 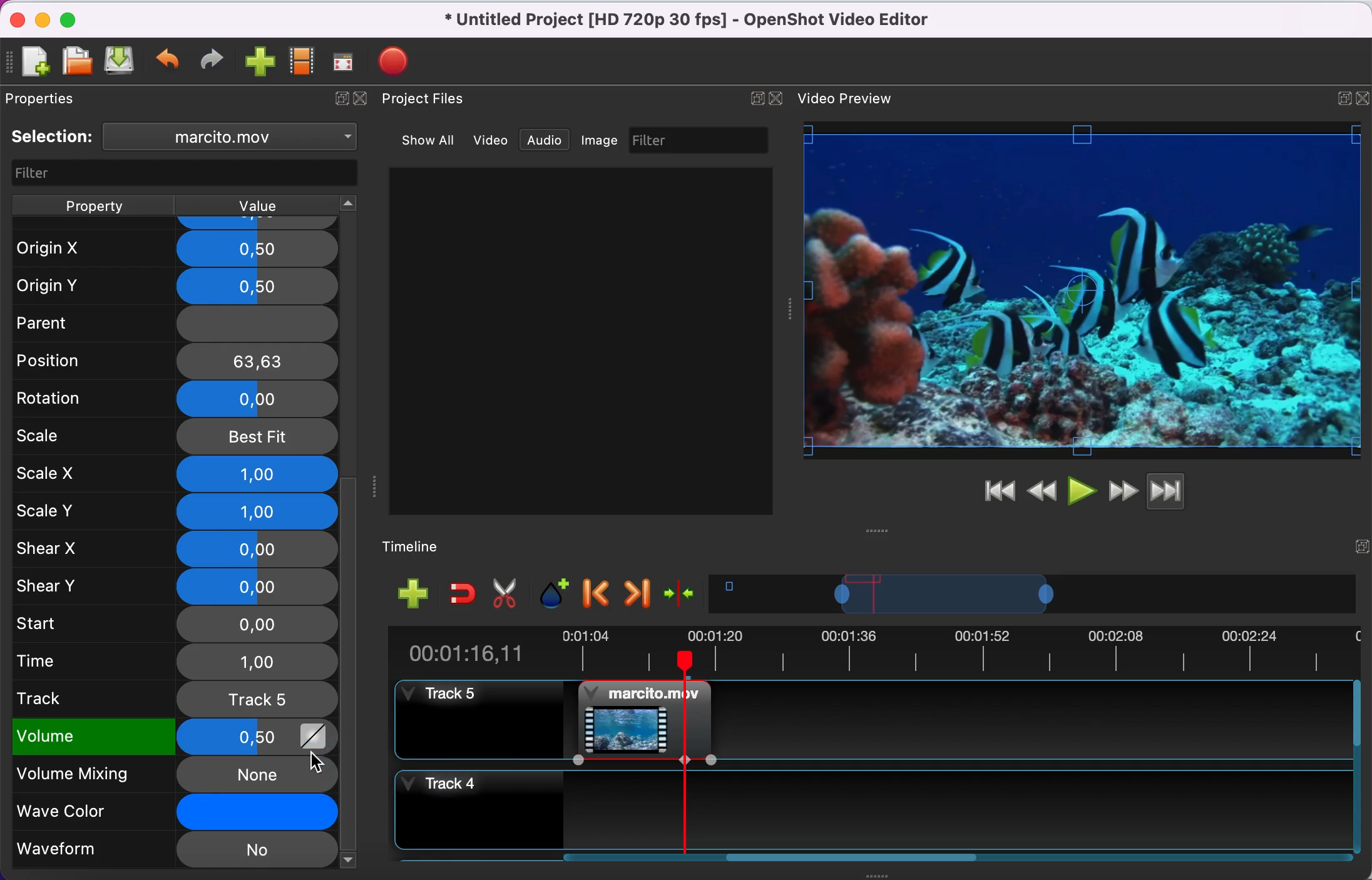 What do you see at coordinates (153, 812) in the screenshot?
I see `wave color` at bounding box center [153, 812].